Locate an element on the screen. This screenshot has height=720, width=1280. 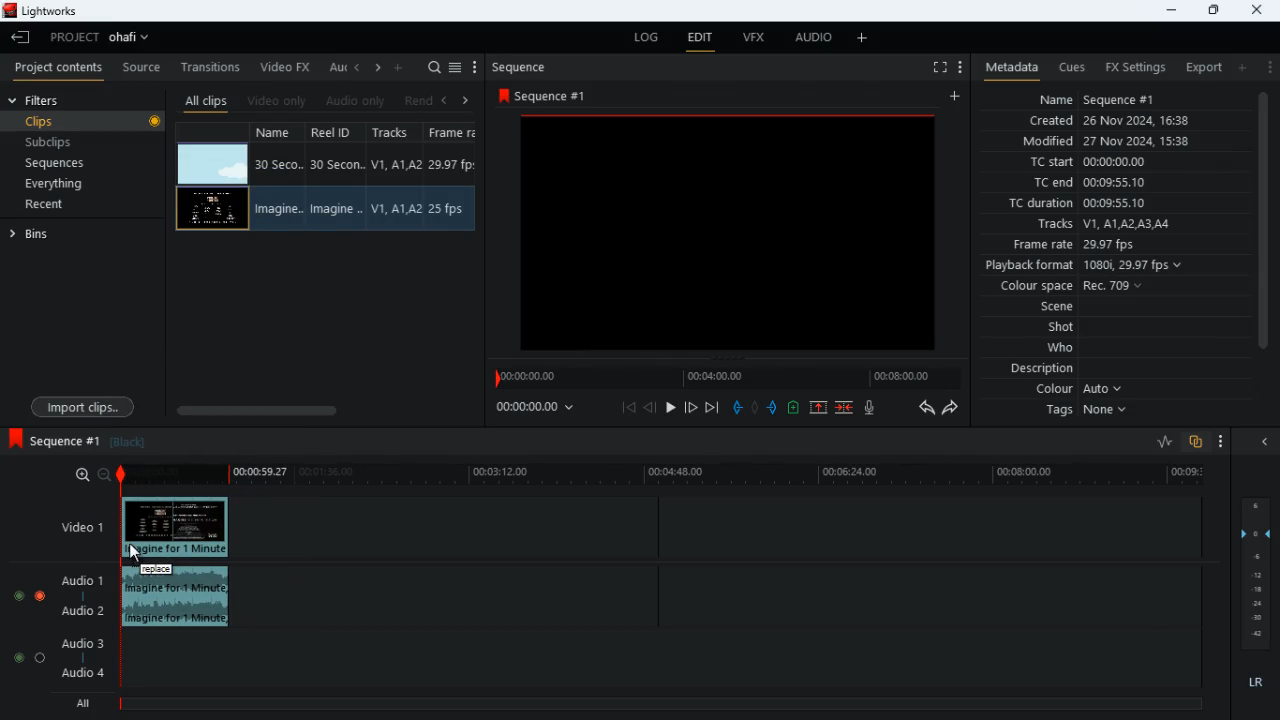
backwards is located at coordinates (925, 408).